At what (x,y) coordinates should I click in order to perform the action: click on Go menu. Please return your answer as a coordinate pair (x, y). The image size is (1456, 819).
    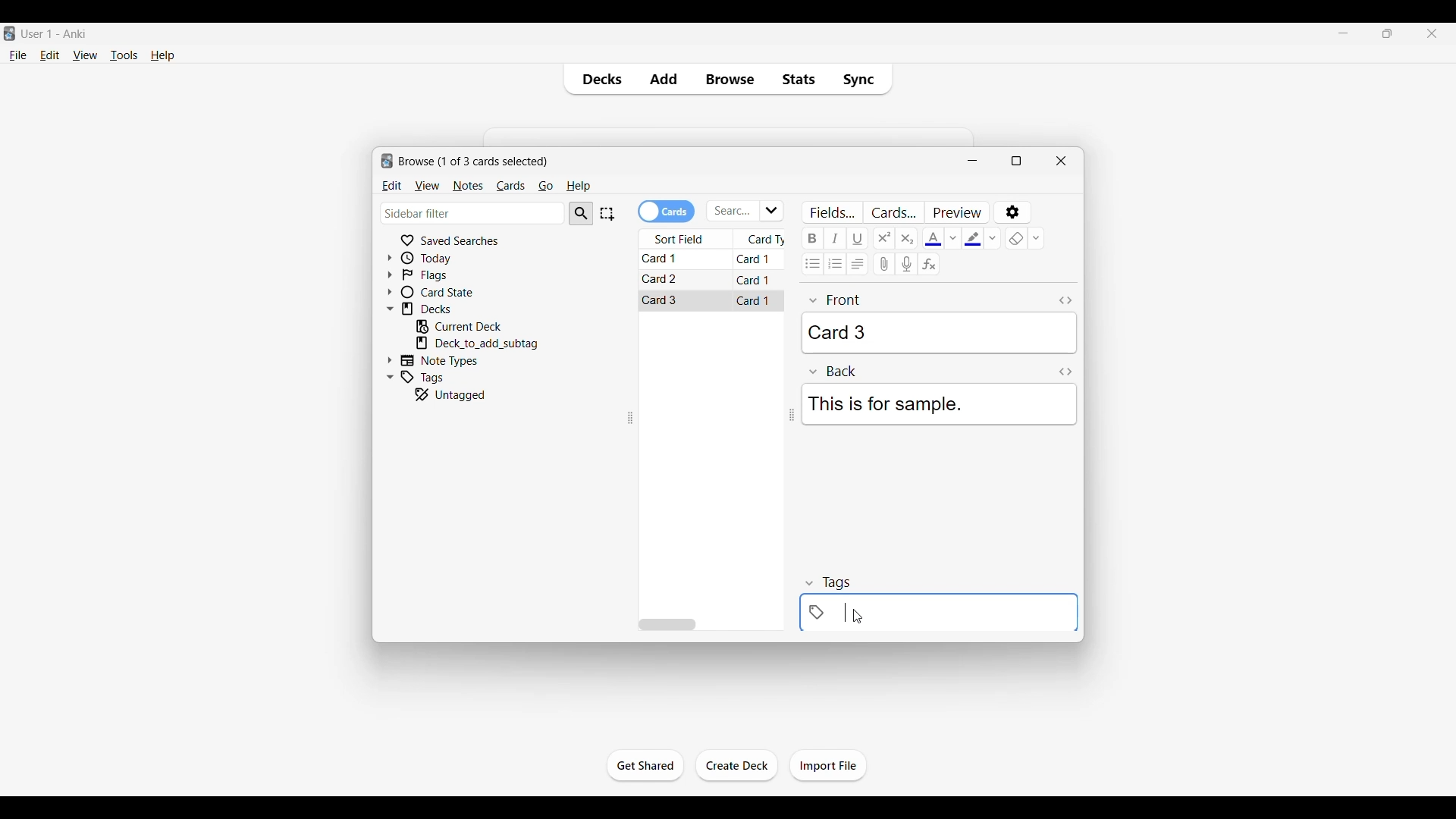
    Looking at the image, I should click on (545, 187).